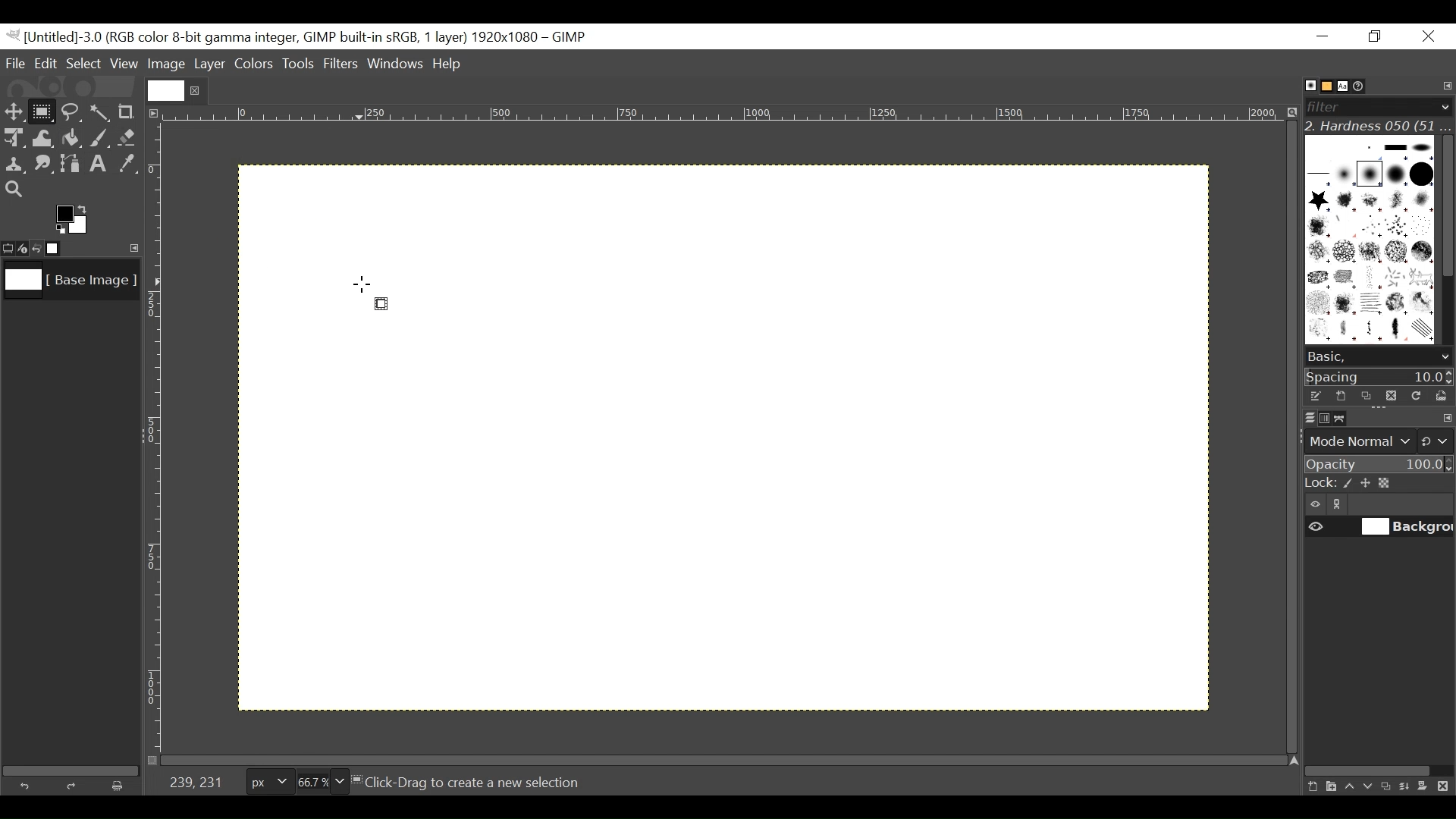 The height and width of the screenshot is (819, 1456). I want to click on Click-Drag to create a new selection, so click(472, 783).